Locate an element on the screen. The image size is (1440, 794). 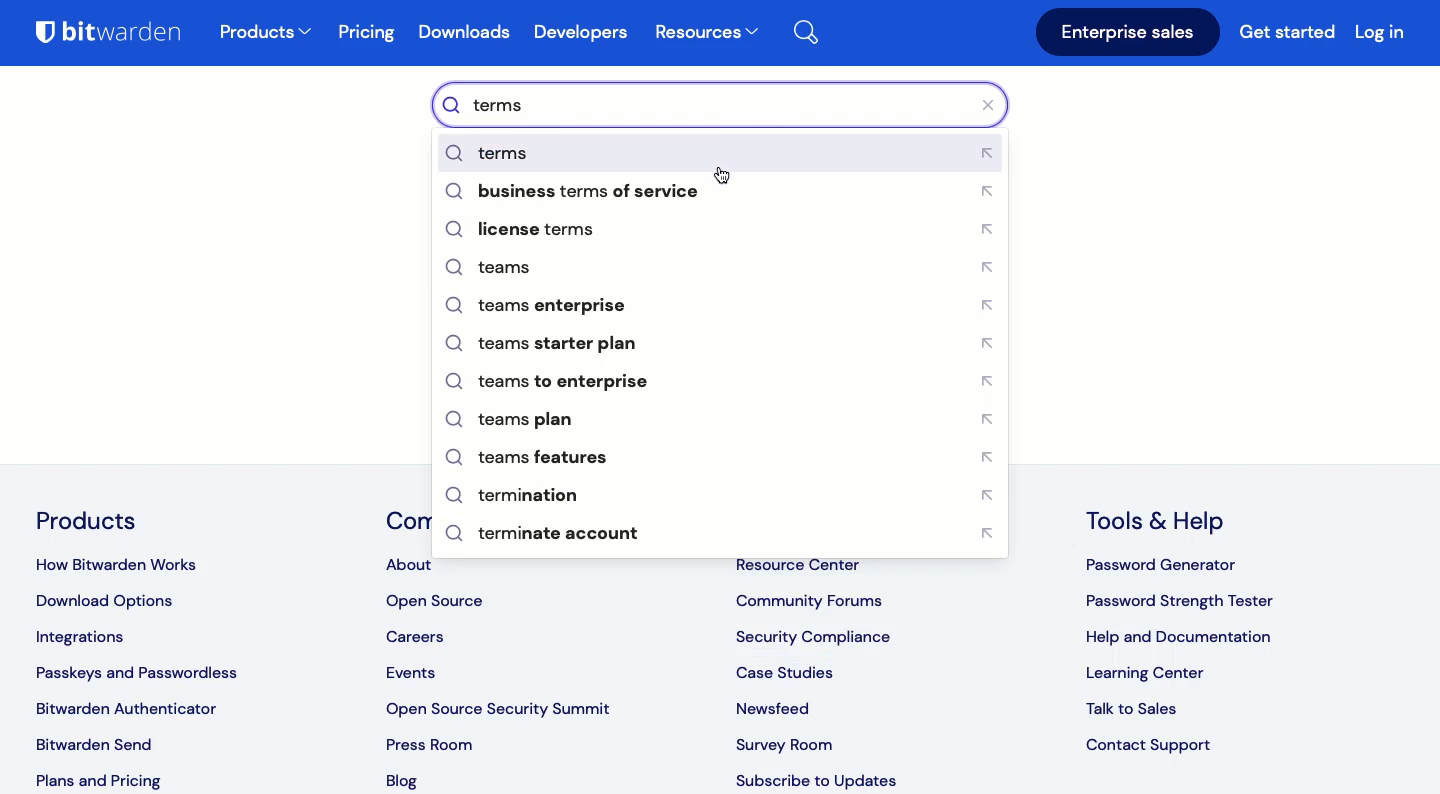
plans and pricing is located at coordinates (96, 779).